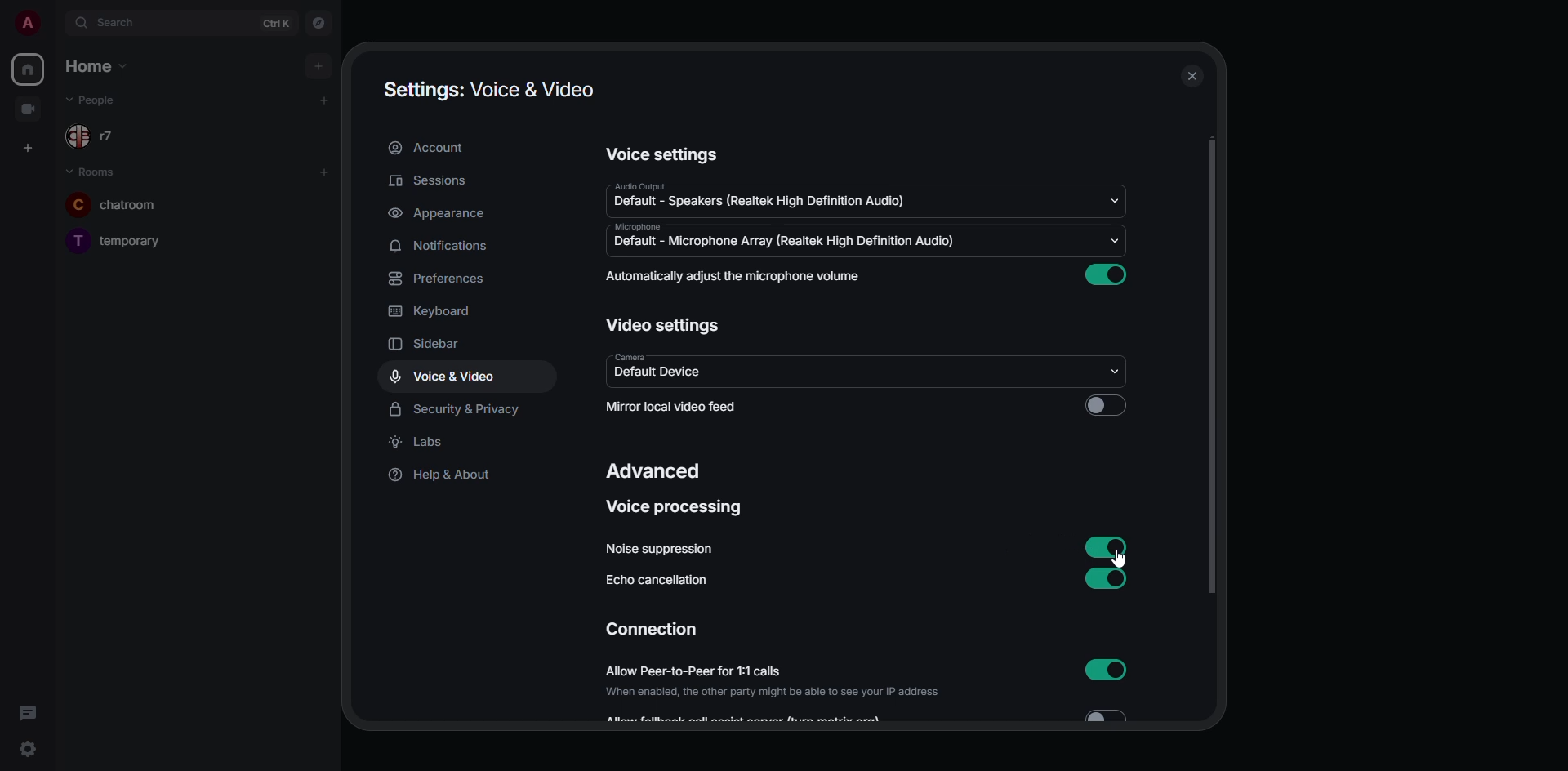 This screenshot has height=771, width=1568. Describe the element at coordinates (125, 23) in the screenshot. I see `search` at that location.